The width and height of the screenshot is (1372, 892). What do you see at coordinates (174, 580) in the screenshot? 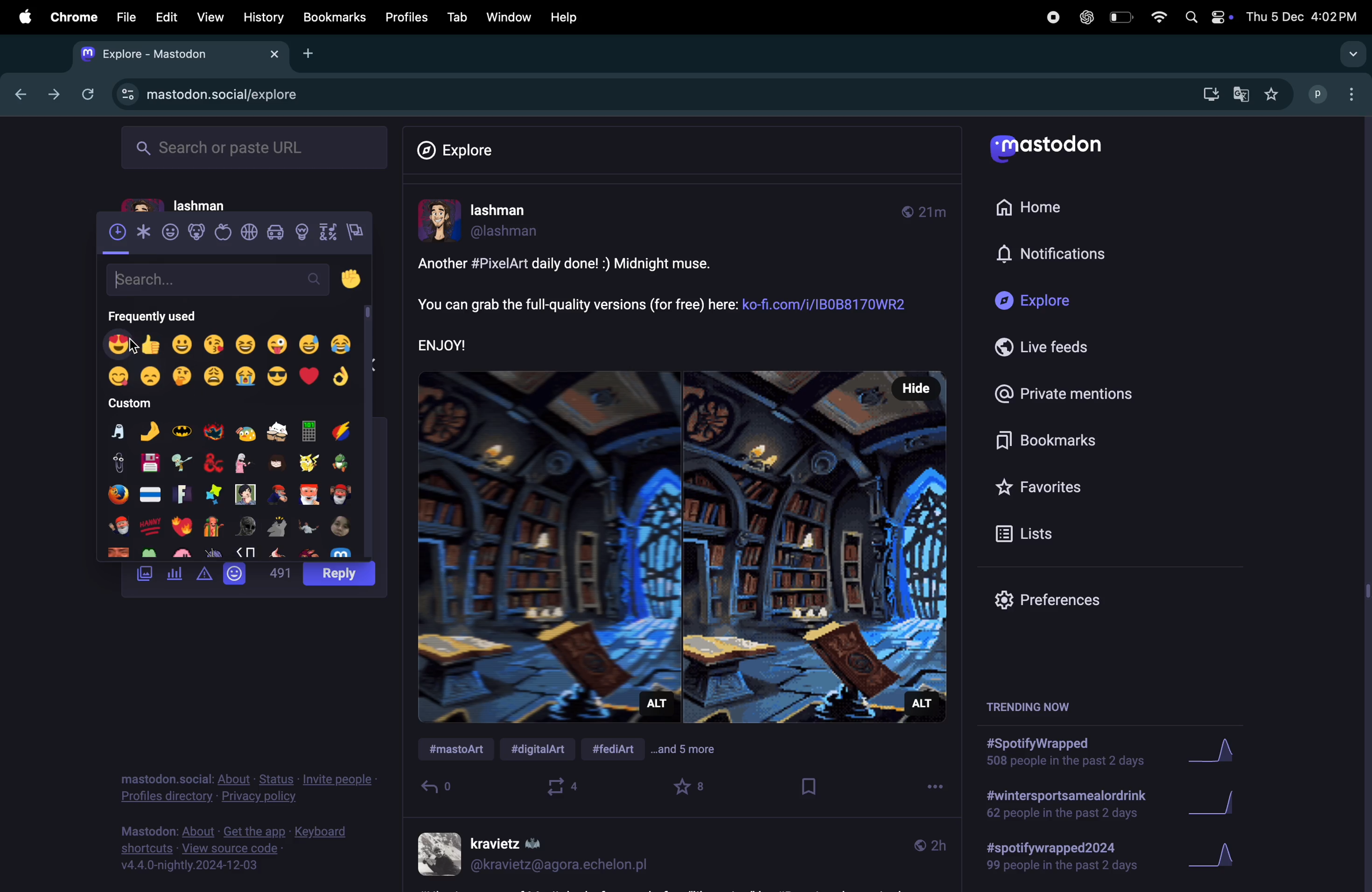
I see `poll` at bounding box center [174, 580].